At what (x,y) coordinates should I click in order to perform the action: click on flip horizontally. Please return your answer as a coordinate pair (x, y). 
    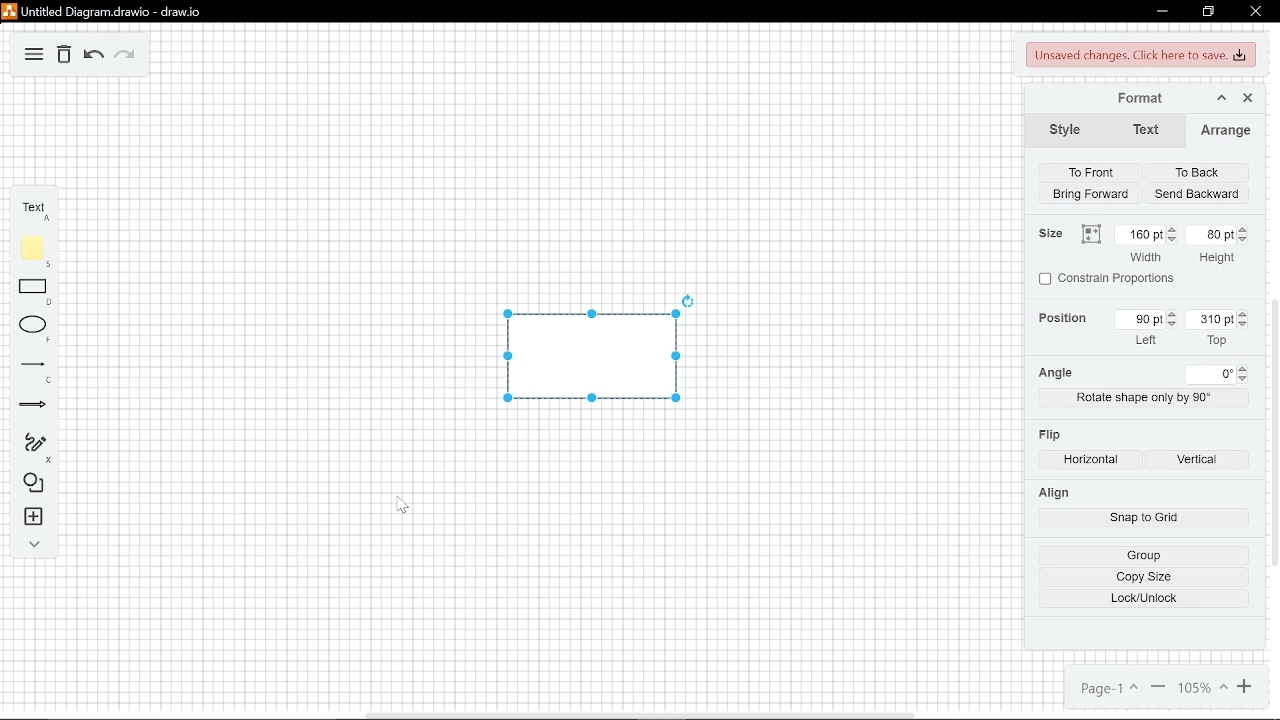
    Looking at the image, I should click on (1092, 462).